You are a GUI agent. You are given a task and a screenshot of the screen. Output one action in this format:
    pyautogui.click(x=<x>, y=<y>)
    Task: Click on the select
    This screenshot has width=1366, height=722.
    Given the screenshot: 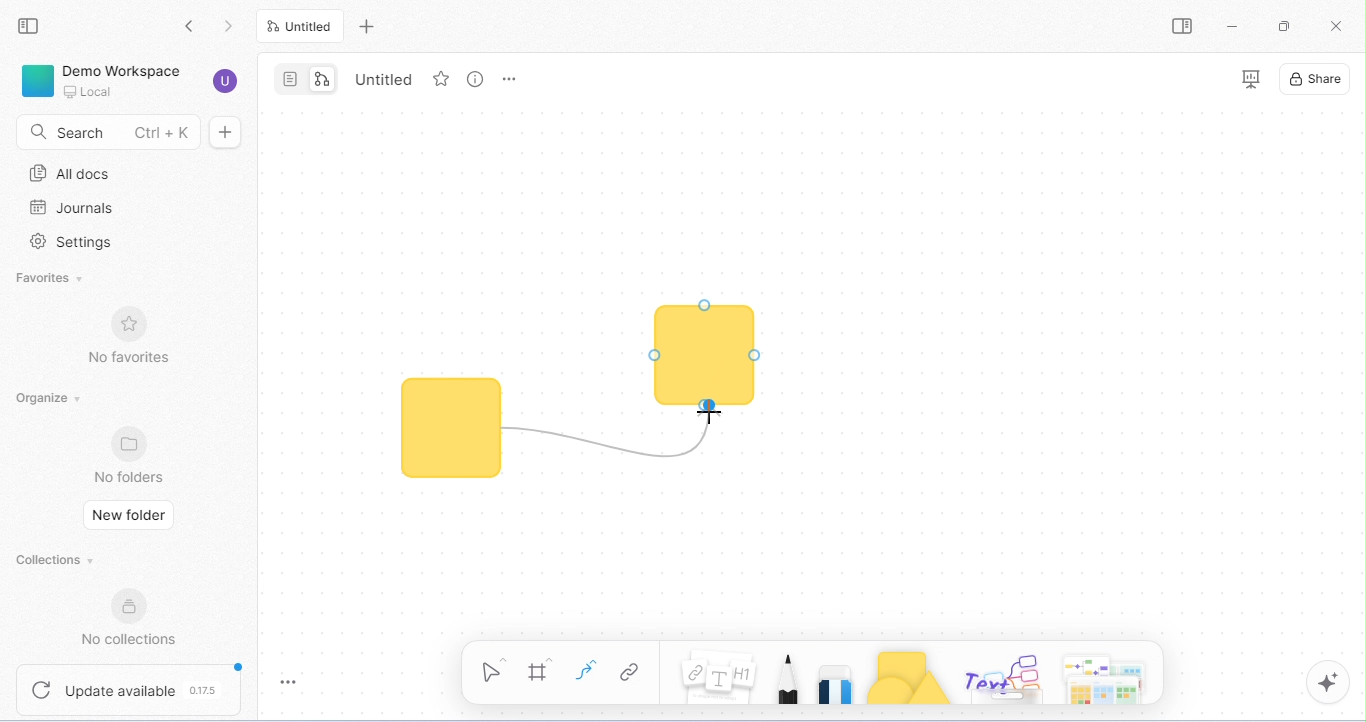 What is the action you would take?
    pyautogui.click(x=496, y=669)
    